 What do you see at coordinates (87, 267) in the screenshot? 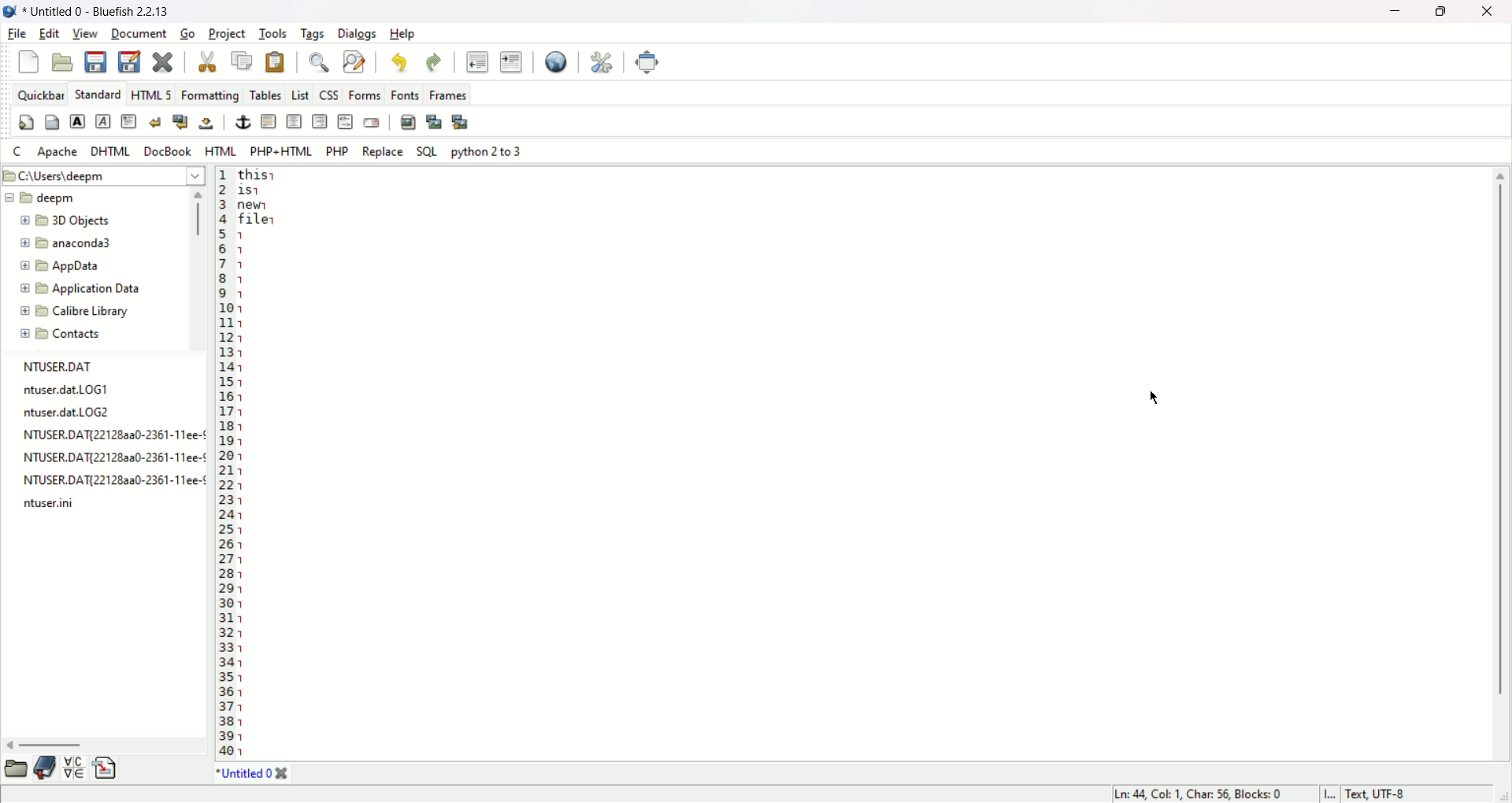
I see `Folder name` at bounding box center [87, 267].